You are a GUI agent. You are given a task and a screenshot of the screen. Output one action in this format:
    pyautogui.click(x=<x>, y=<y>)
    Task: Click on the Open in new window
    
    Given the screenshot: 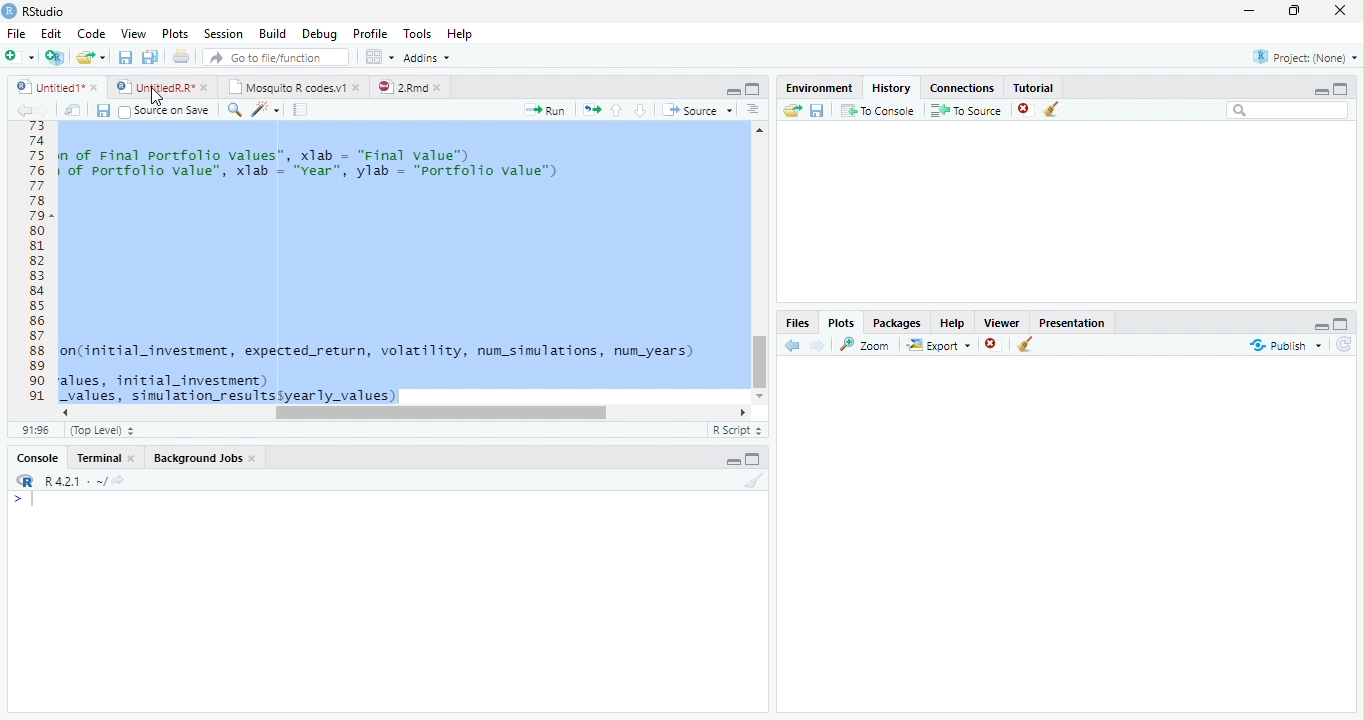 What is the action you would take?
    pyautogui.click(x=73, y=110)
    